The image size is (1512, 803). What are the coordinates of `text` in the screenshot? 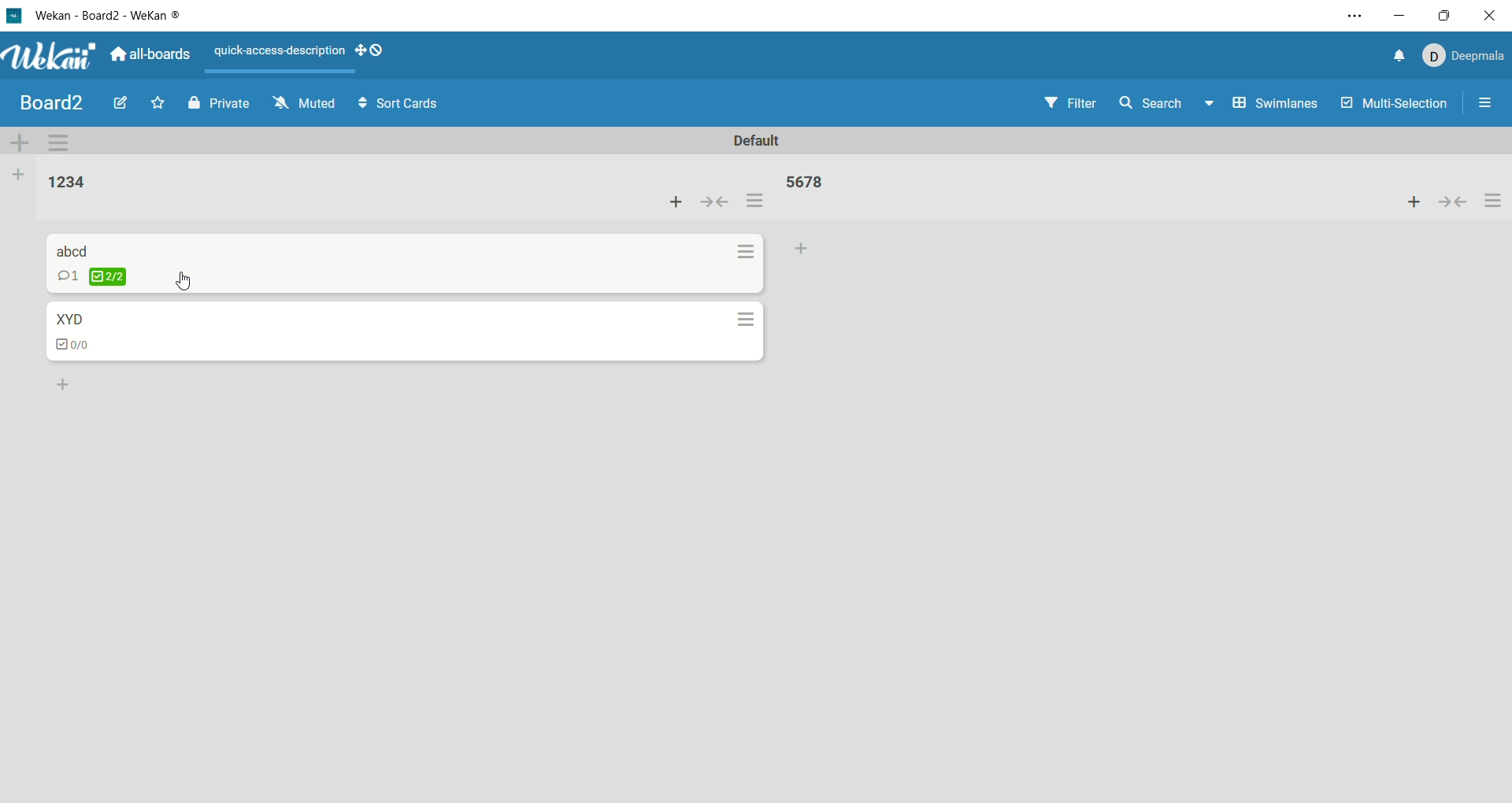 It's located at (281, 52).